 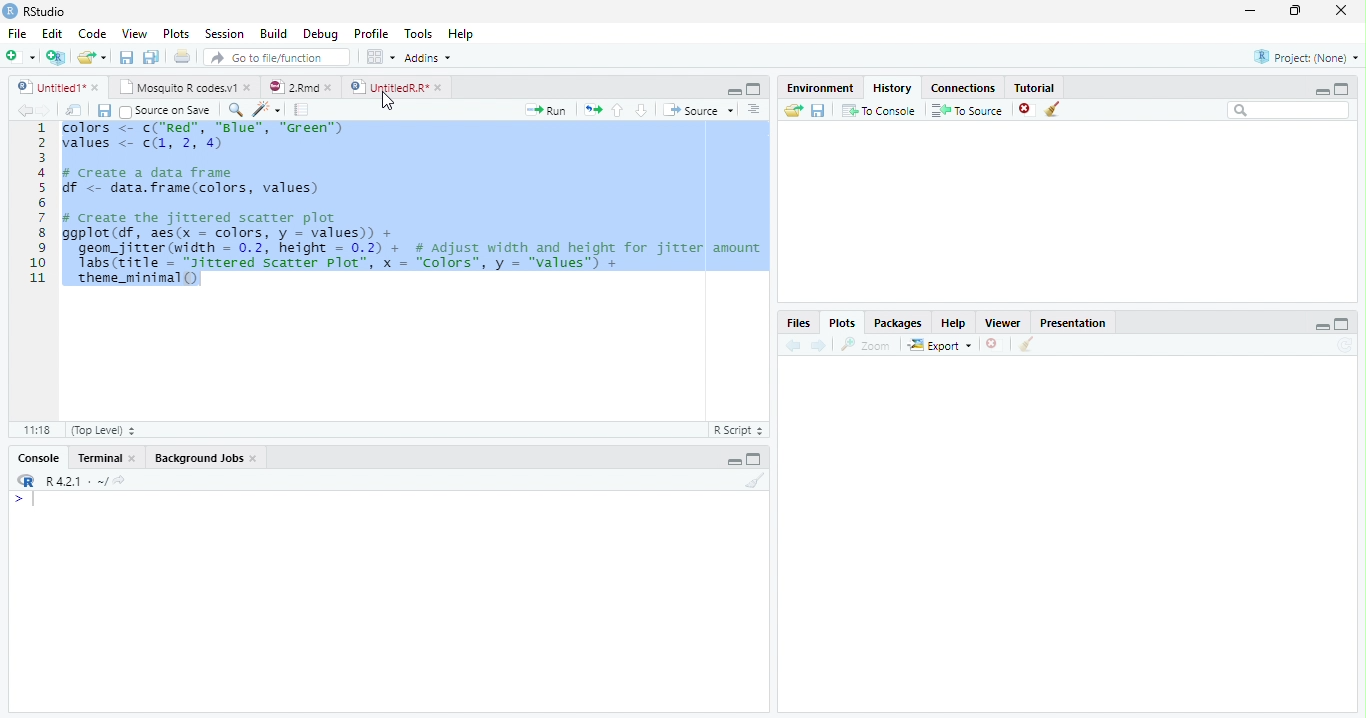 I want to click on Minimize, so click(x=733, y=462).